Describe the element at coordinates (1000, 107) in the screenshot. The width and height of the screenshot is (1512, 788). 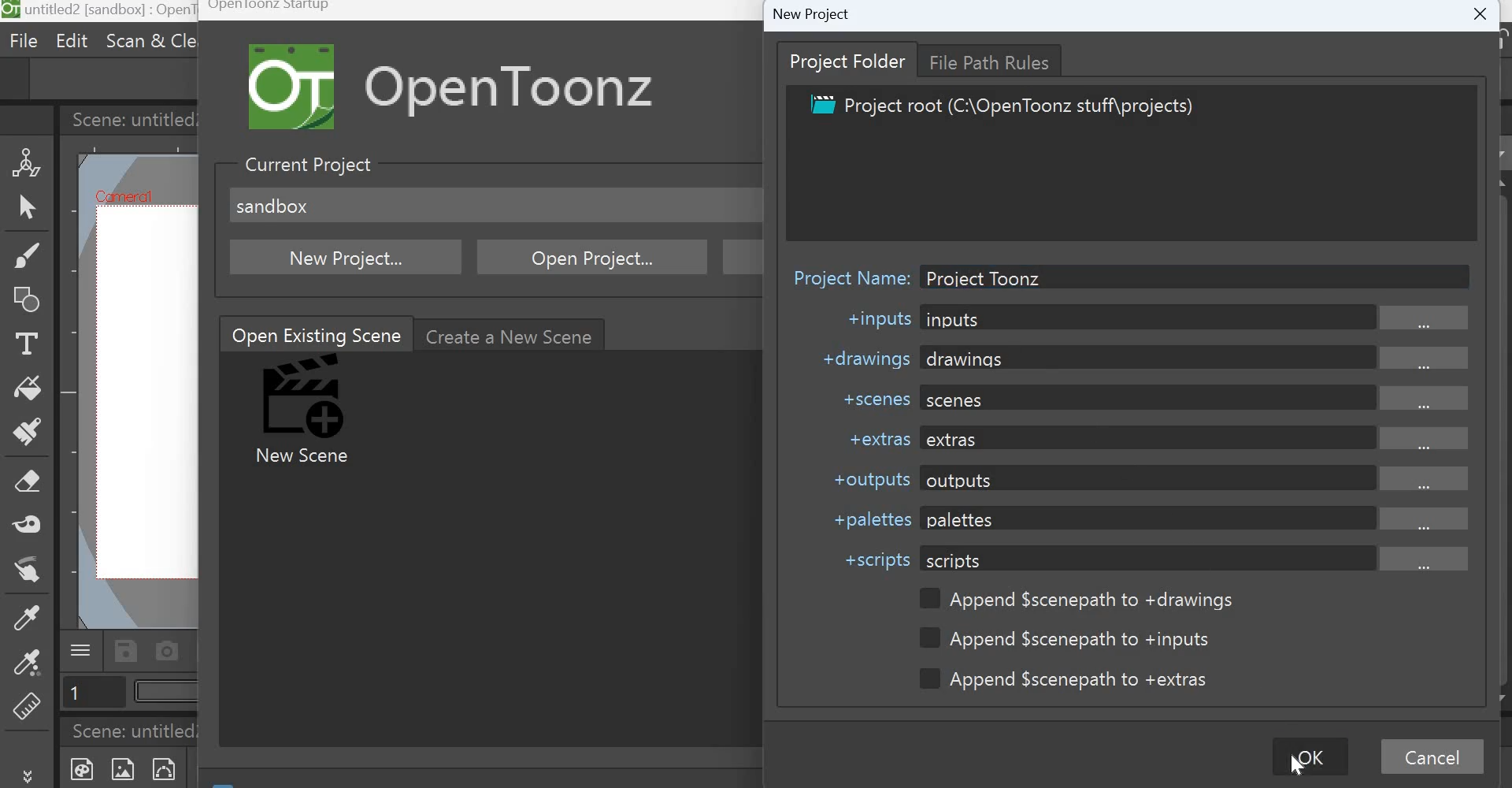
I see `Project root (C:\OpenToonz stuff\projects` at that location.